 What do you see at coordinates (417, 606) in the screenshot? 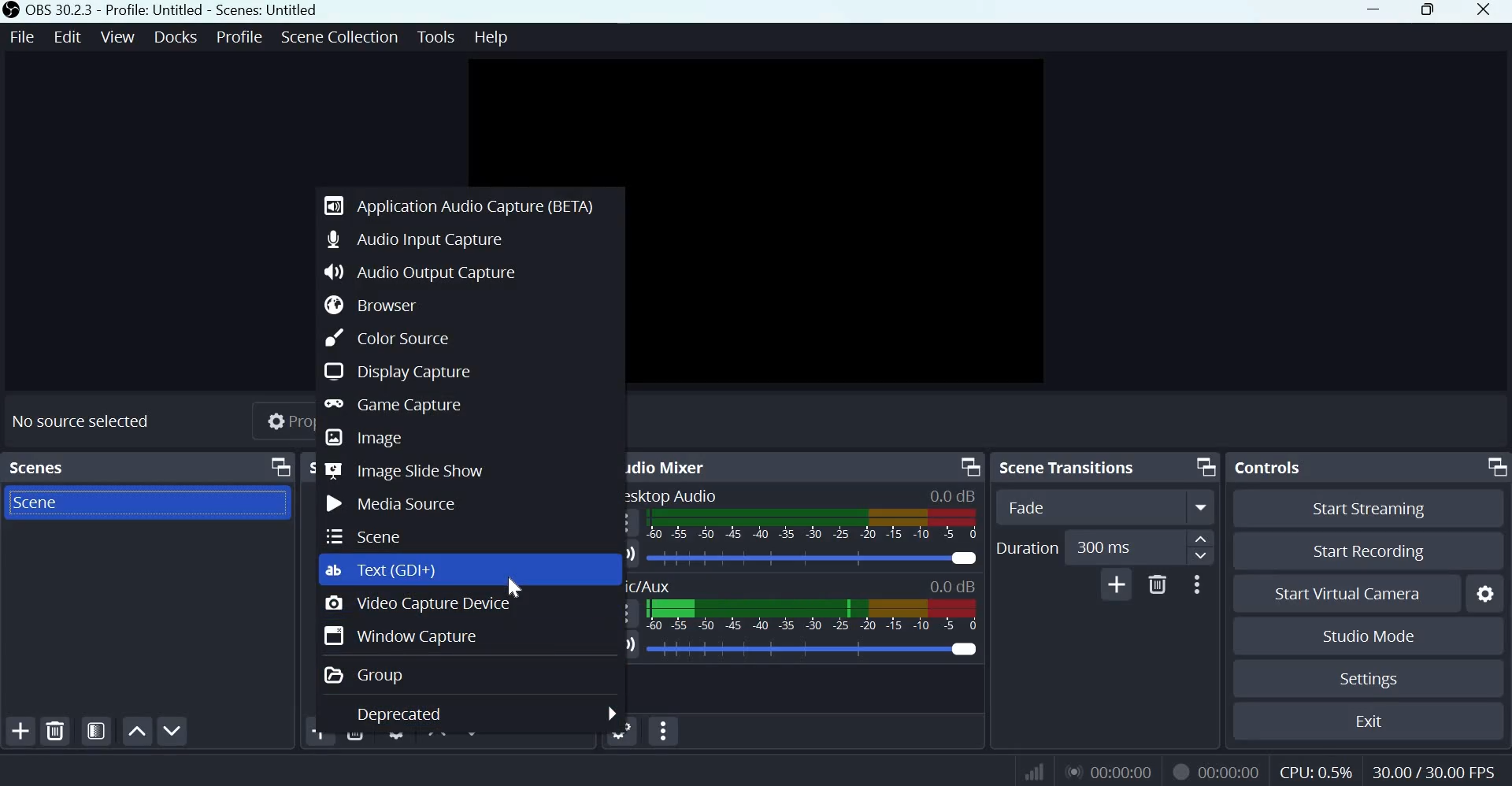
I see `Video capture device` at bounding box center [417, 606].